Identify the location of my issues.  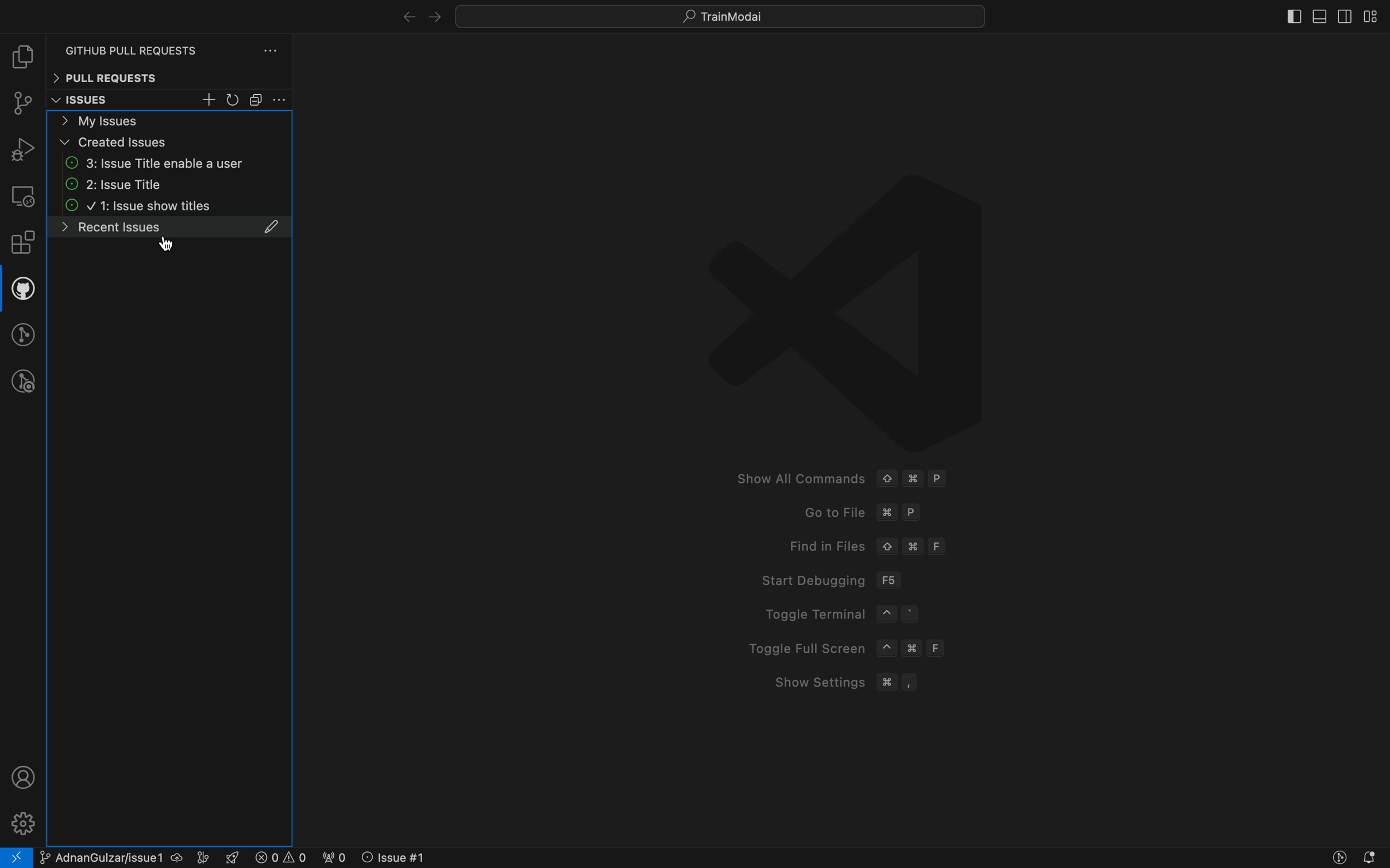
(170, 120).